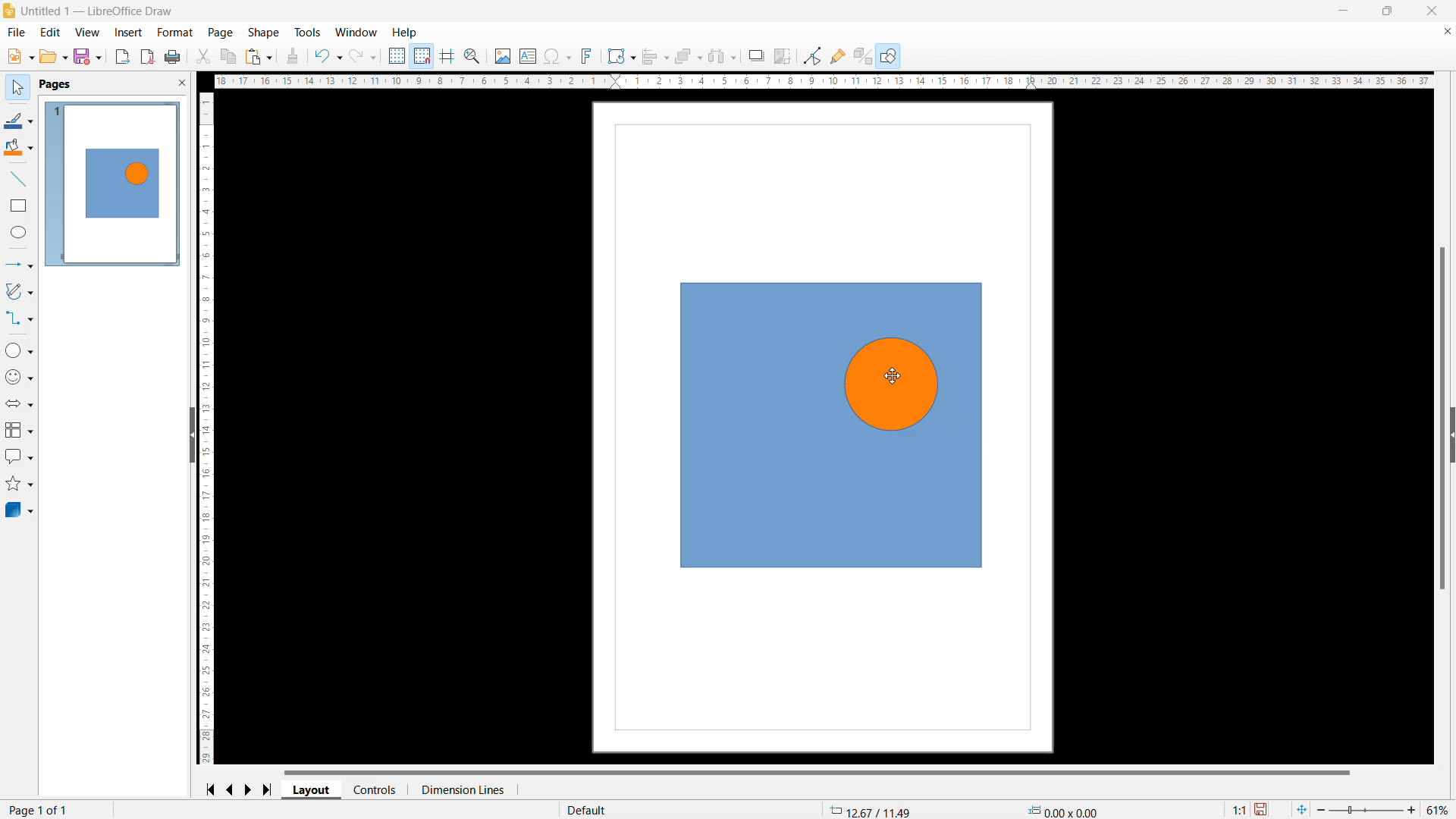  What do you see at coordinates (54, 55) in the screenshot?
I see `open` at bounding box center [54, 55].